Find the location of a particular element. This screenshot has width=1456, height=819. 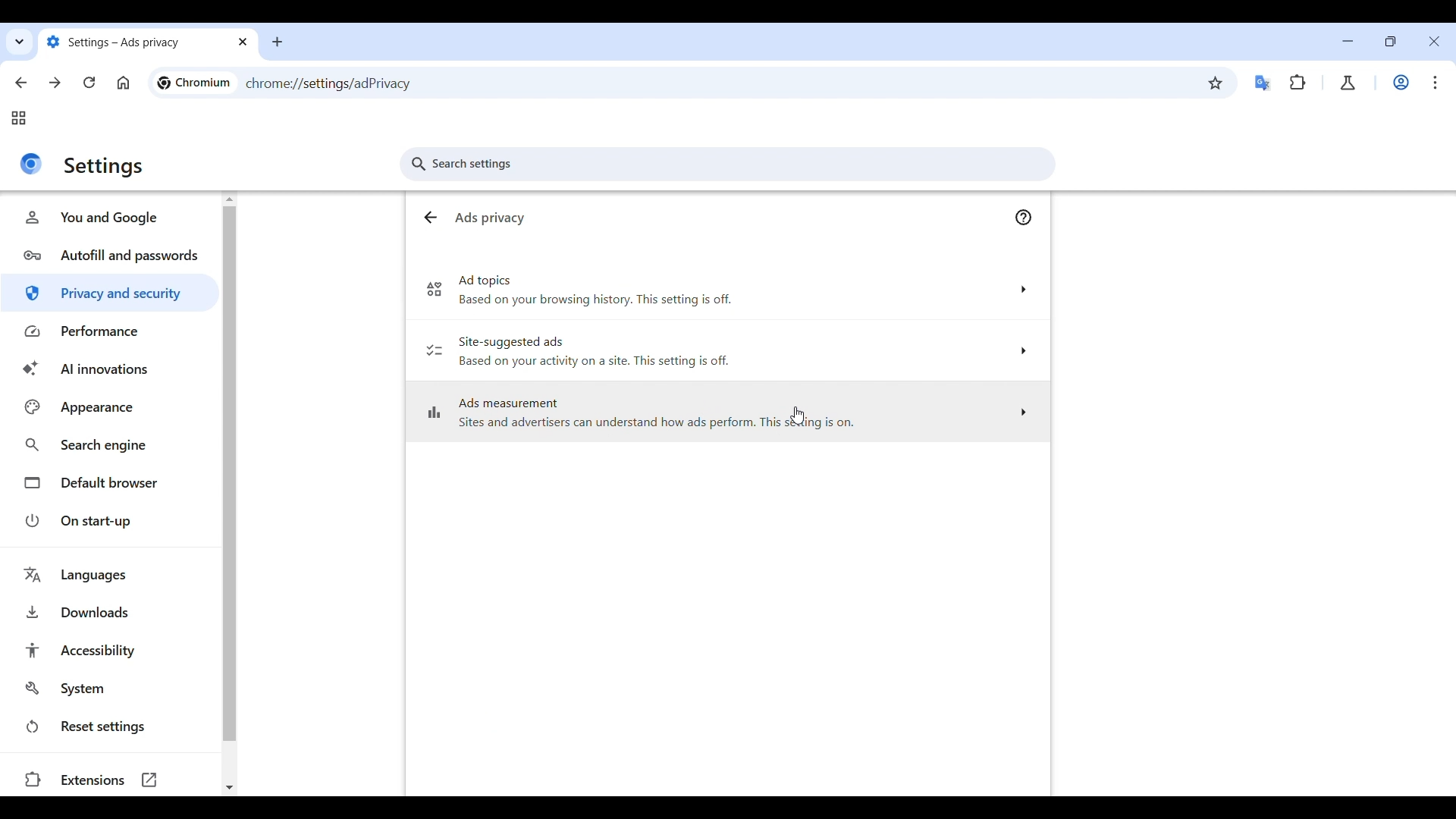

Tab groups  is located at coordinates (19, 118).